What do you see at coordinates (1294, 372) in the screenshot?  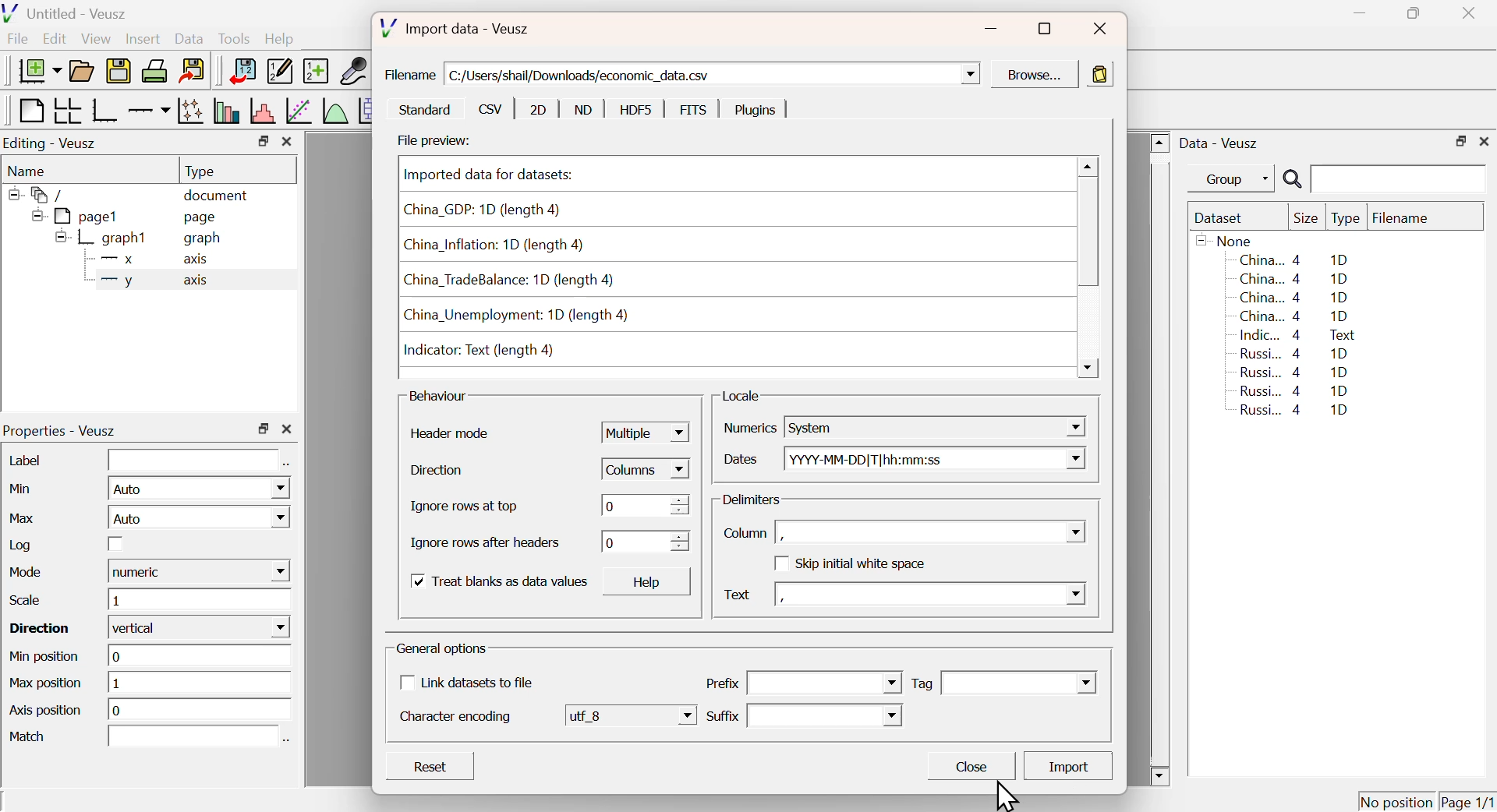 I see `Russi... 4 1D` at bounding box center [1294, 372].